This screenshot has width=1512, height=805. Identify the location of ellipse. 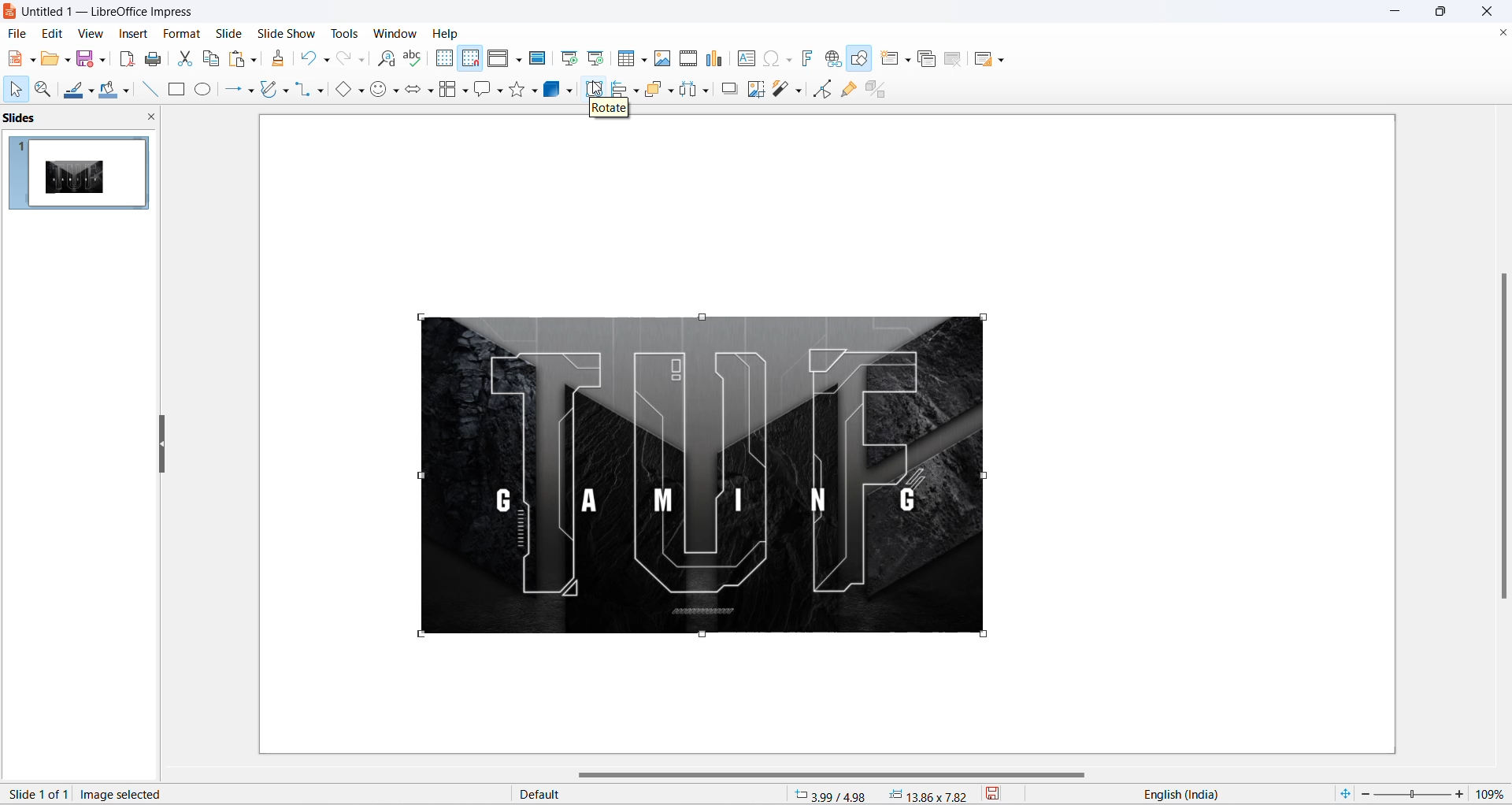
(205, 89).